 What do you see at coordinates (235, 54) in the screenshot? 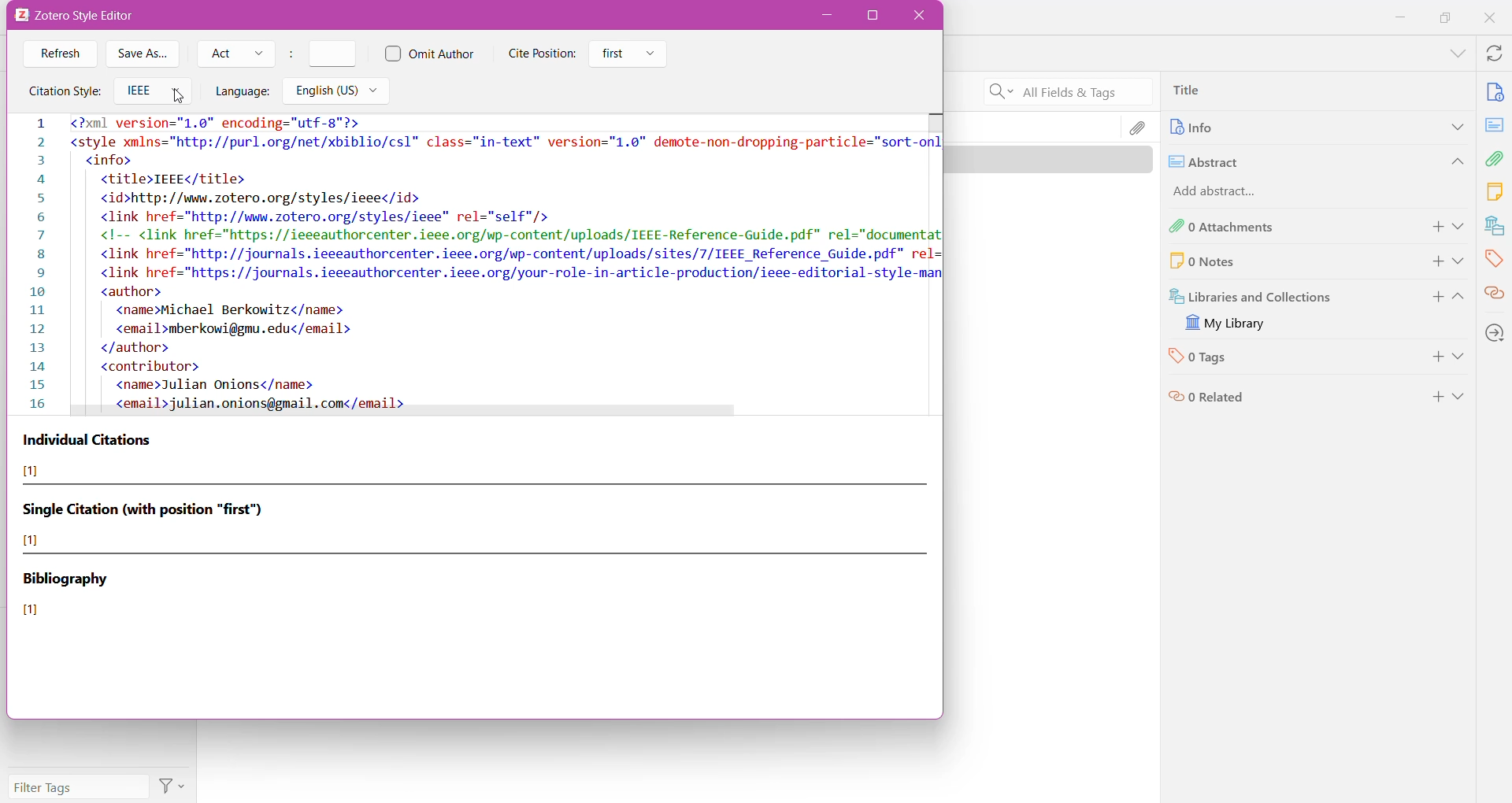
I see `Act` at bounding box center [235, 54].